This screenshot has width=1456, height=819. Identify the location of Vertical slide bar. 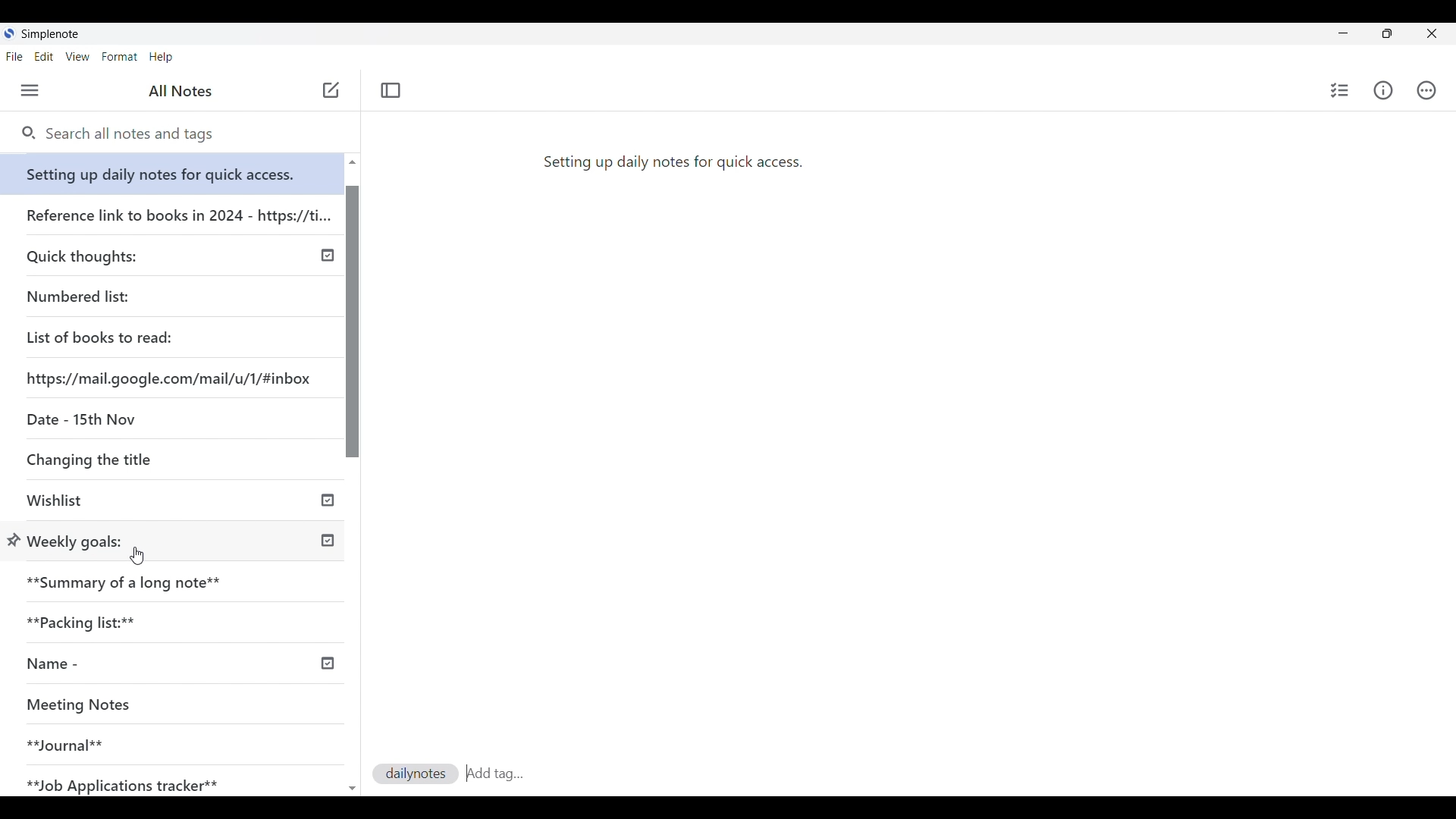
(354, 482).